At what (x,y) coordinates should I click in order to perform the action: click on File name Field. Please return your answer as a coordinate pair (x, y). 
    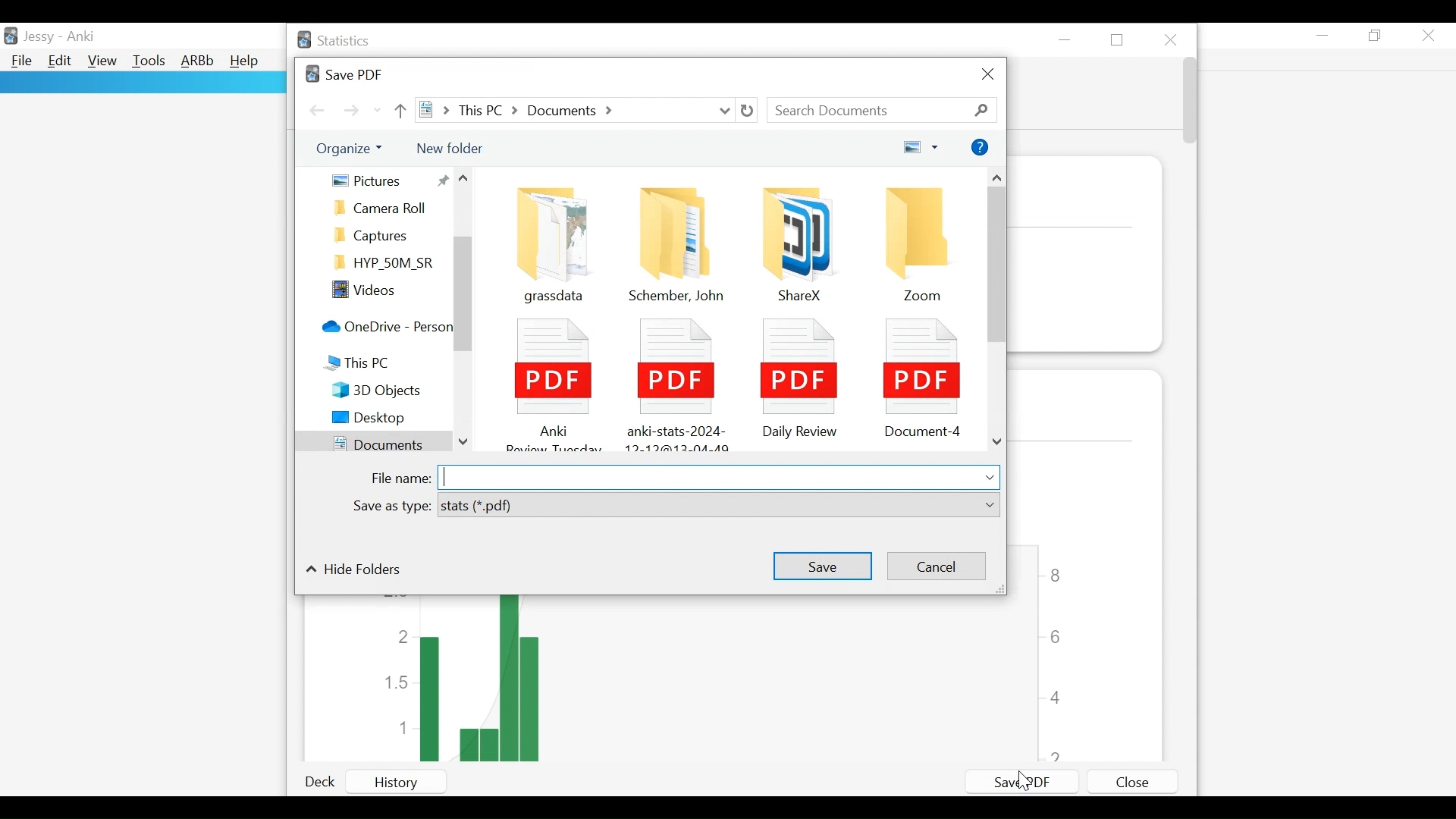
    Looking at the image, I should click on (717, 475).